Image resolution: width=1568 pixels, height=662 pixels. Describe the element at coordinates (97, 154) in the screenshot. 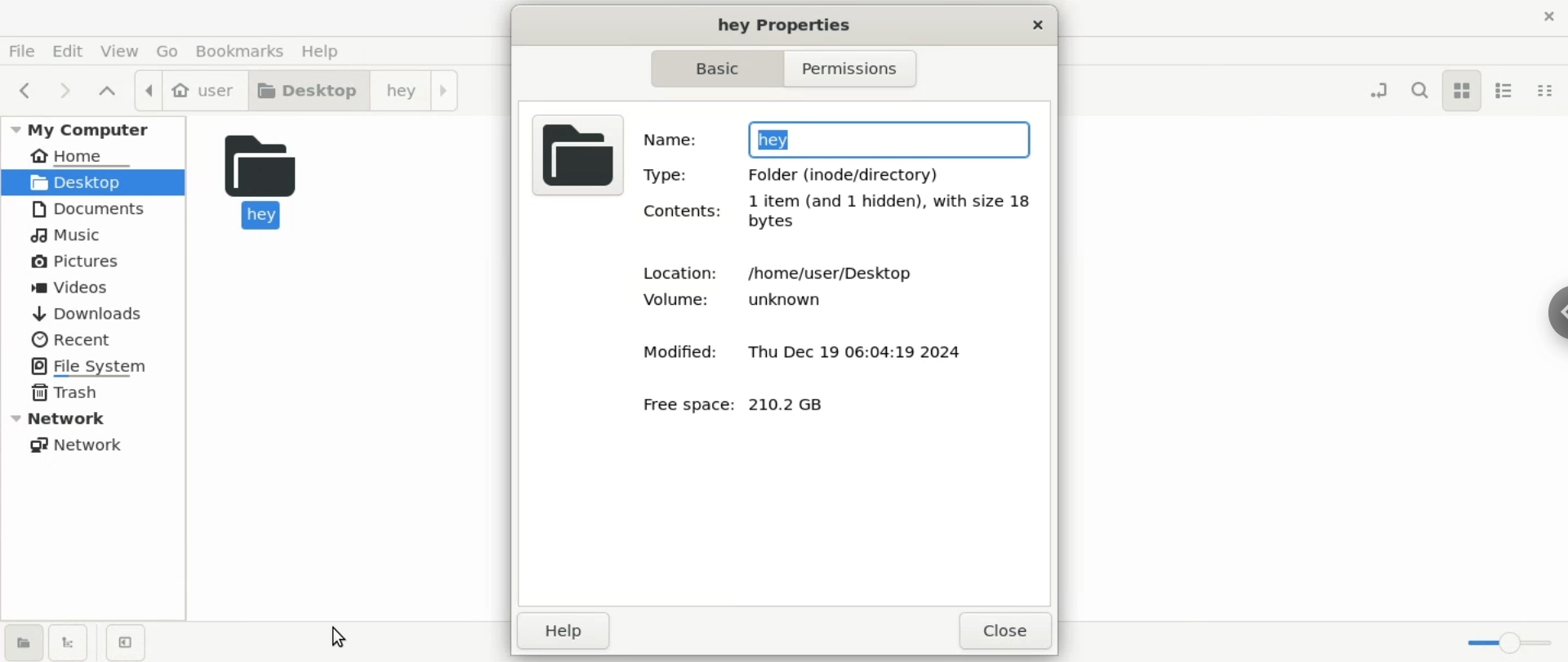

I see `home` at that location.